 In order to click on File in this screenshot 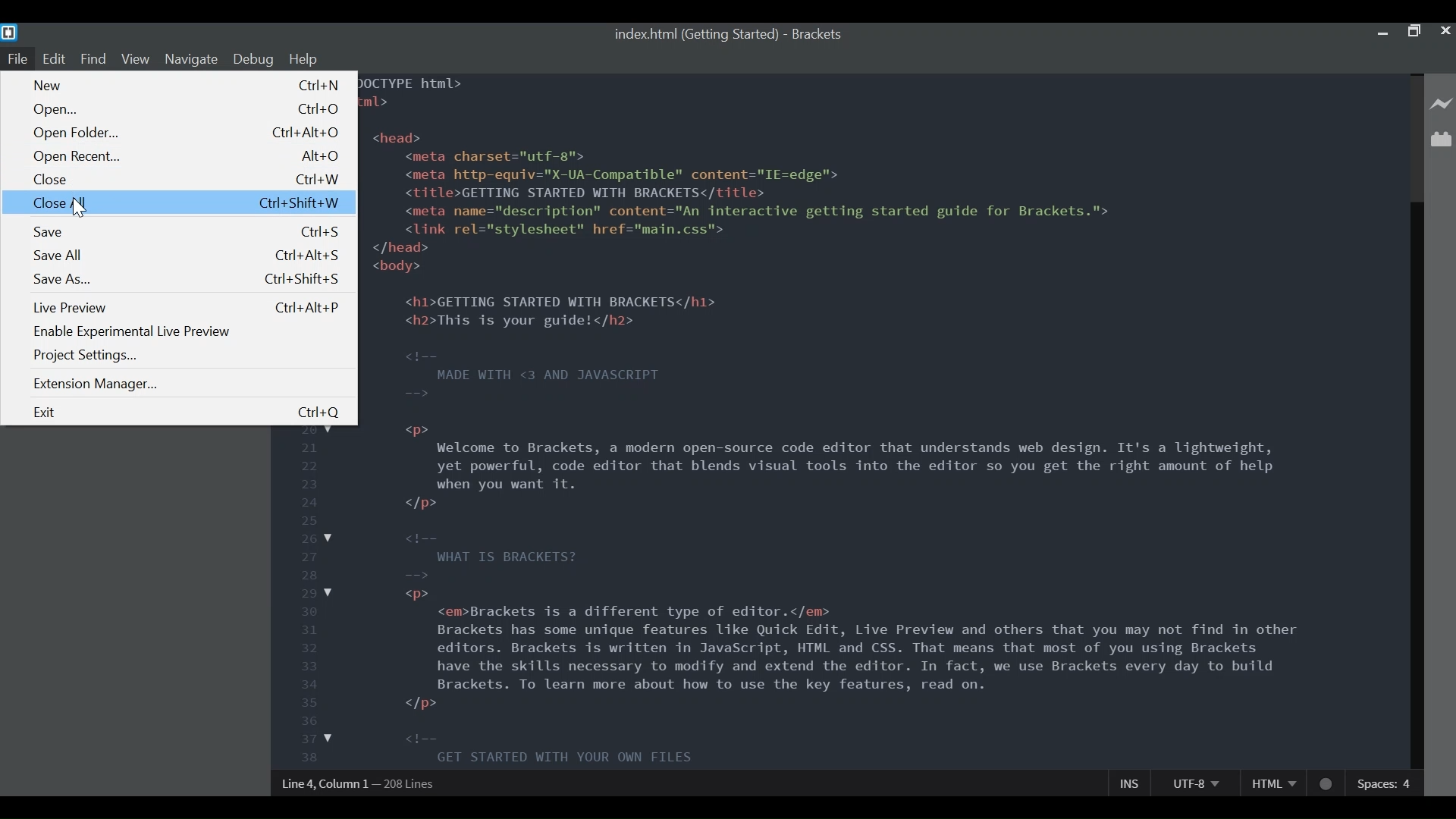, I will do `click(17, 59)`.